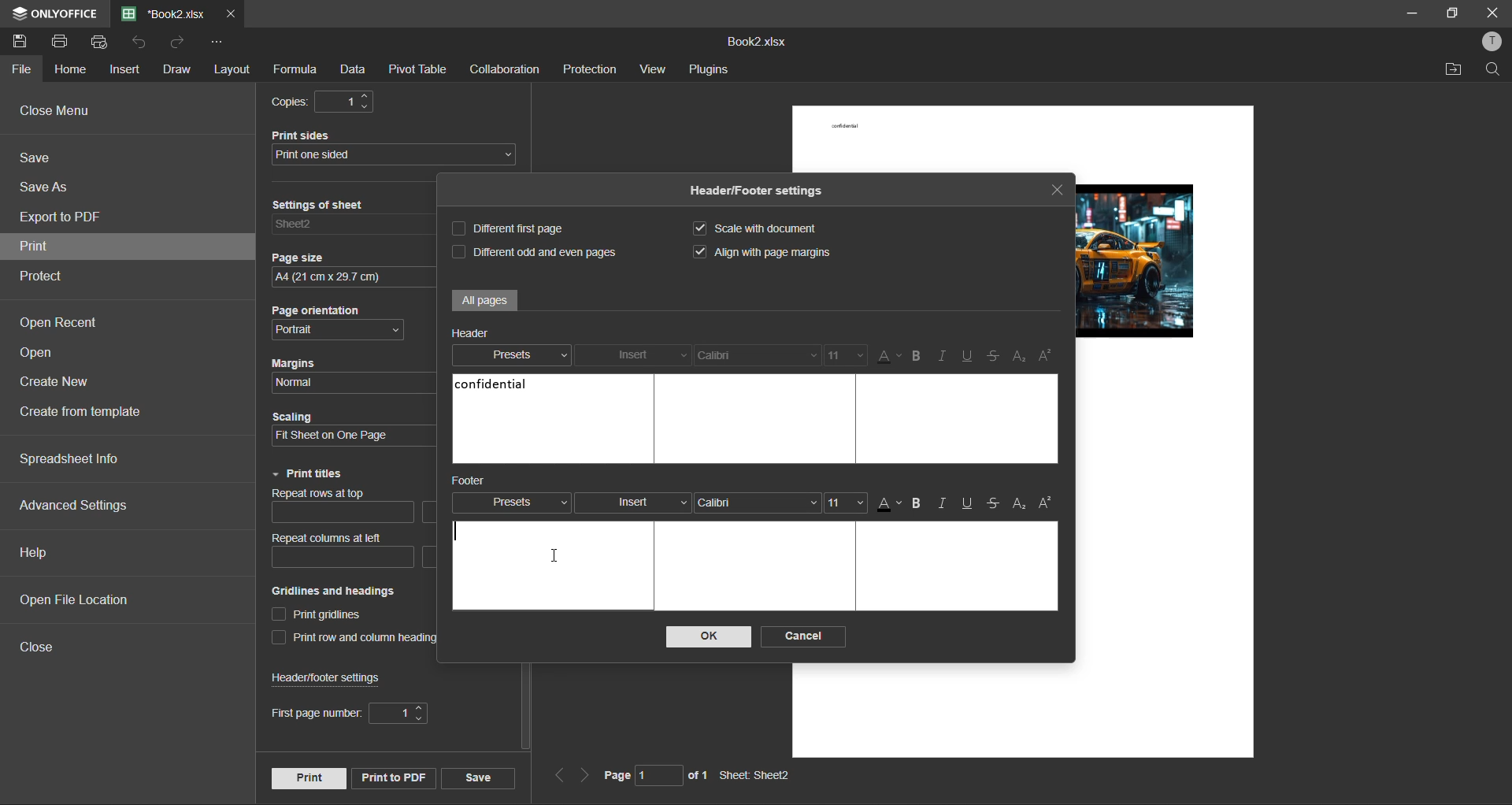  I want to click on close, so click(39, 647).